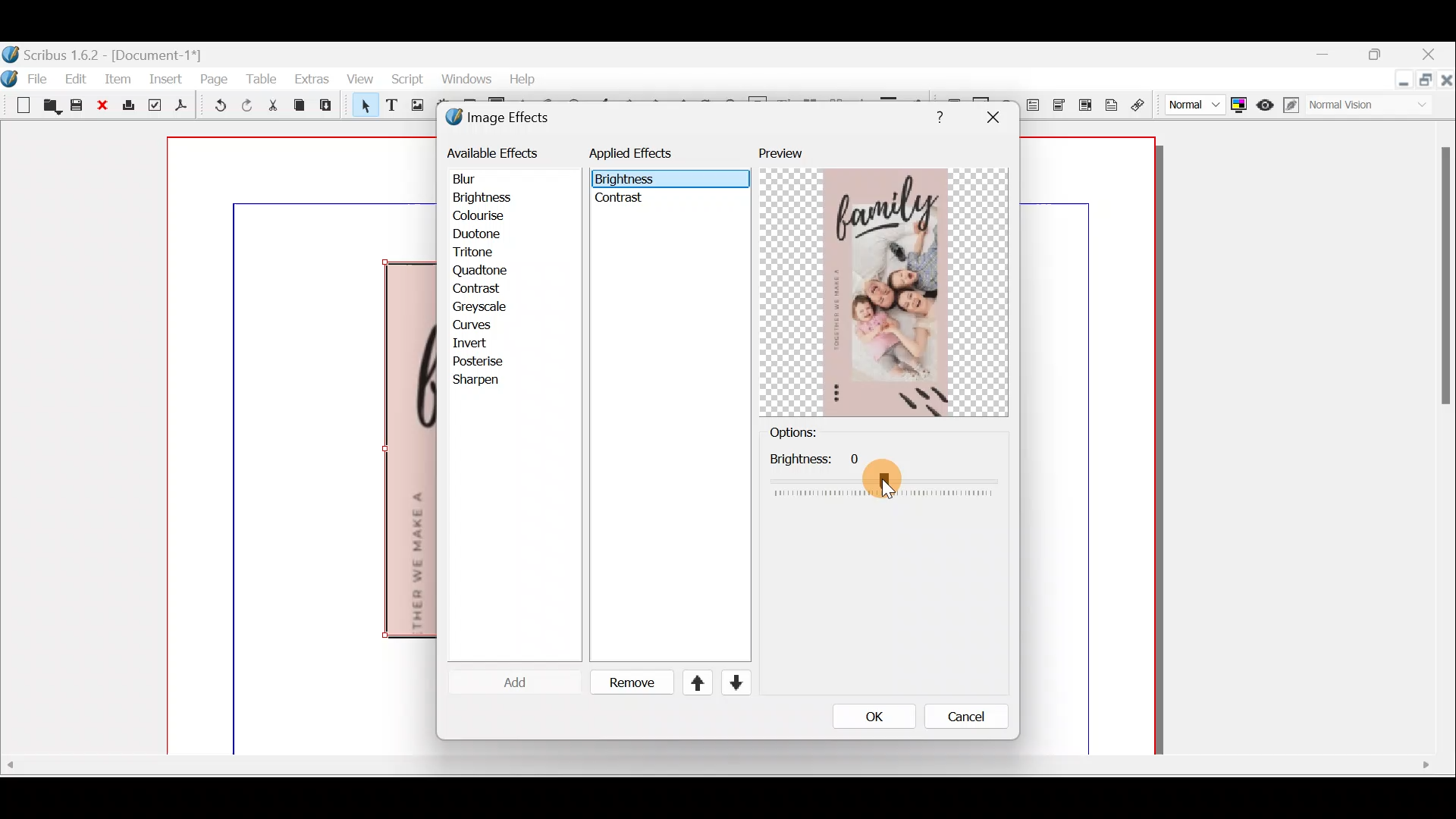 This screenshot has height=819, width=1456. What do you see at coordinates (1140, 105) in the screenshot?
I see `Link annotation` at bounding box center [1140, 105].